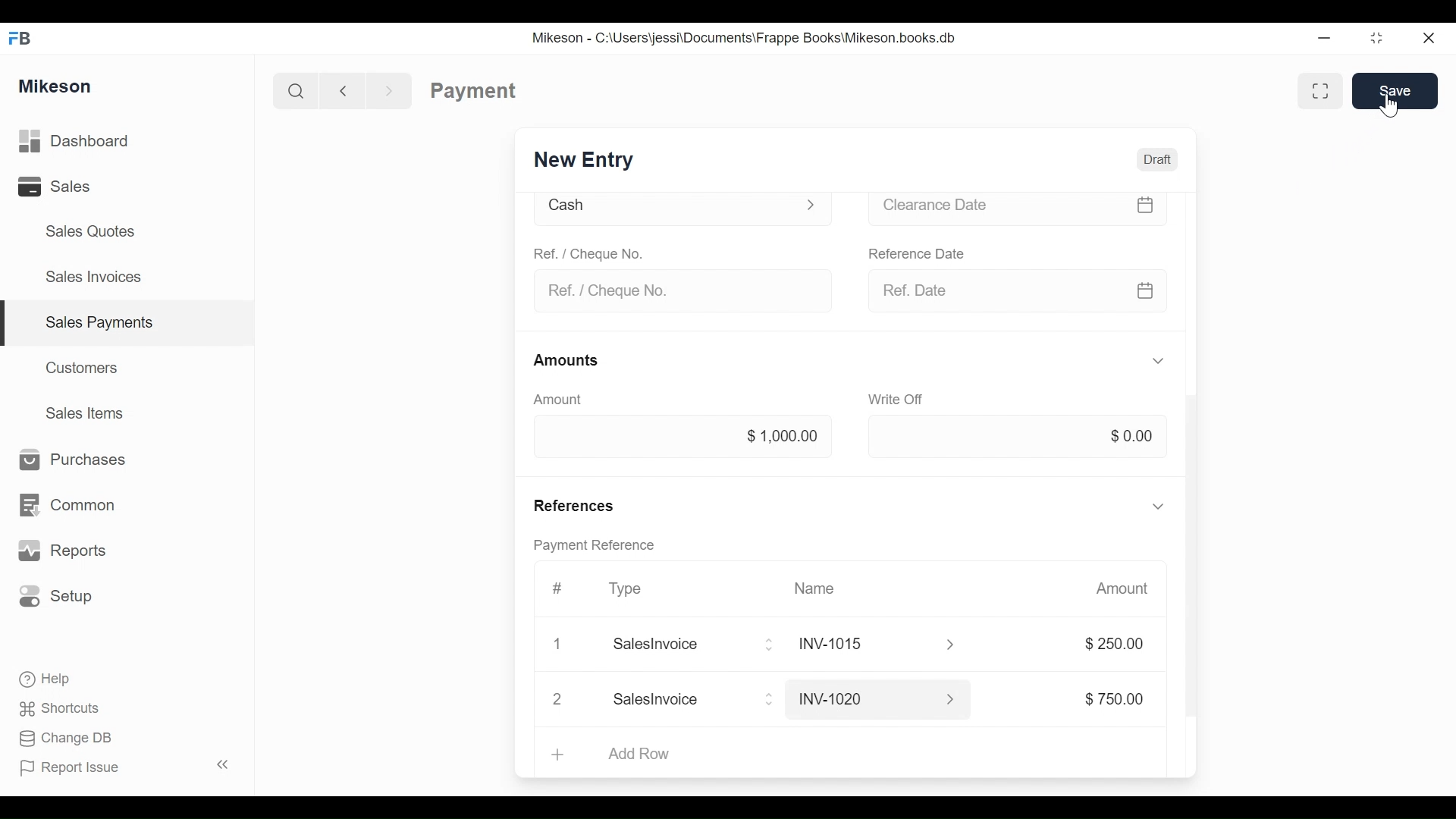 The image size is (1456, 819). What do you see at coordinates (24, 36) in the screenshot?
I see `FB` at bounding box center [24, 36].